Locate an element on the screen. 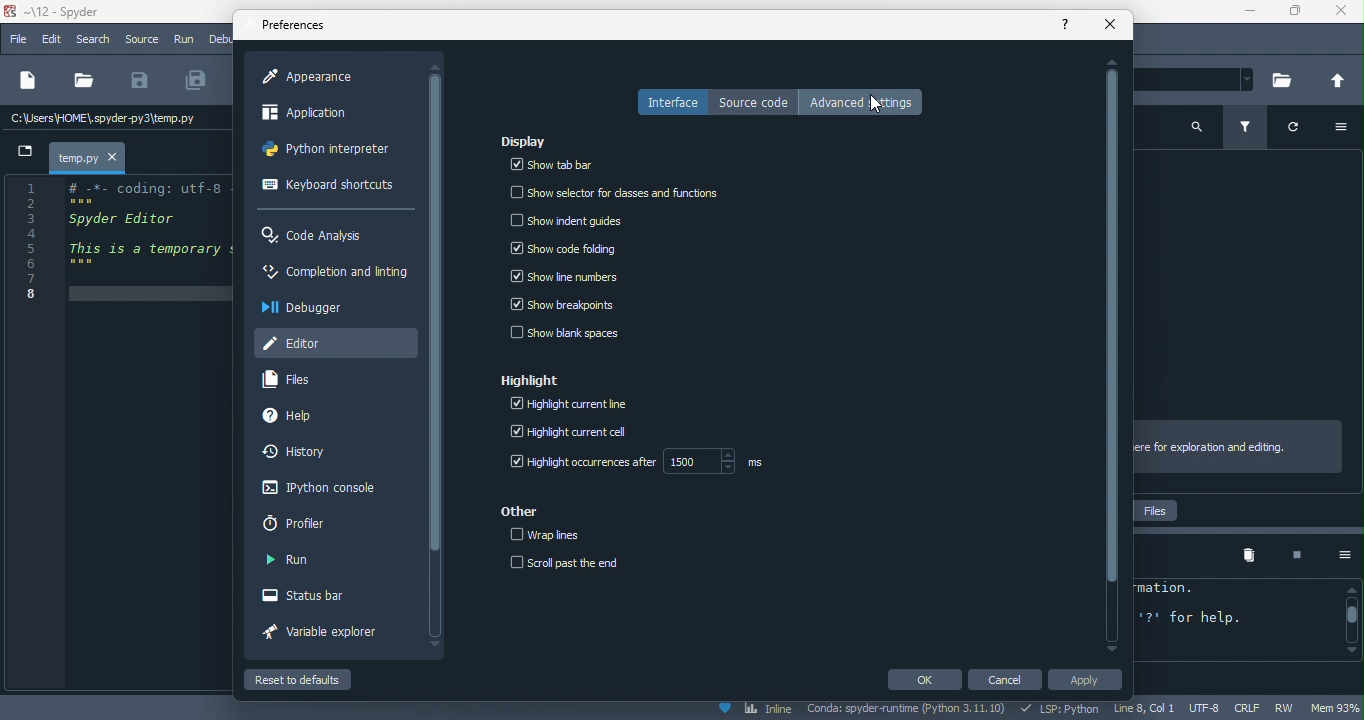 The image size is (1364, 720). line 8, col1 utf 8 is located at coordinates (1169, 709).